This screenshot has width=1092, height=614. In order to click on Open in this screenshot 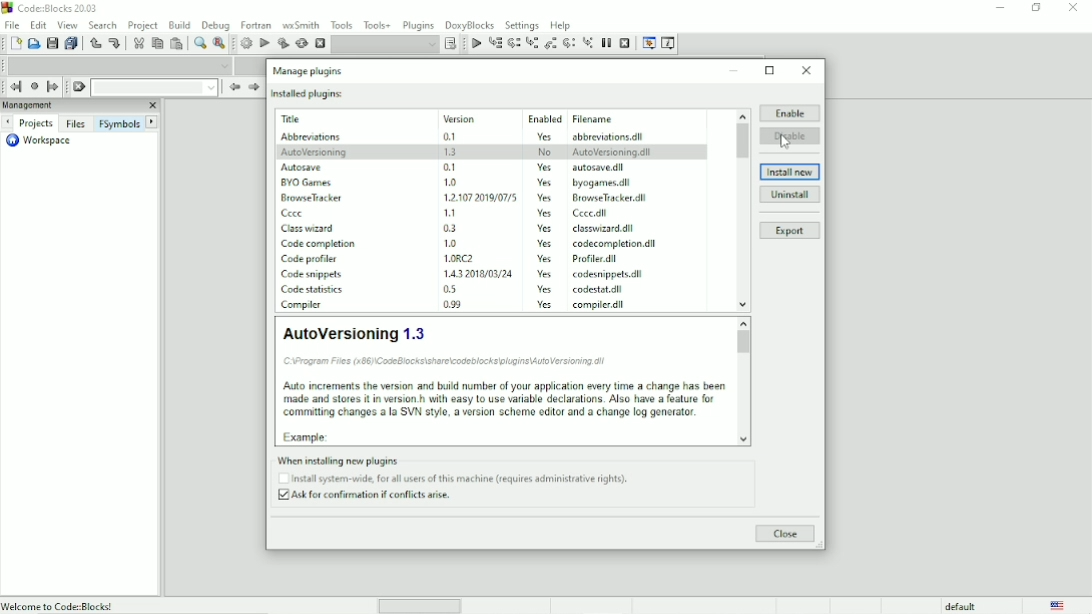, I will do `click(34, 44)`.